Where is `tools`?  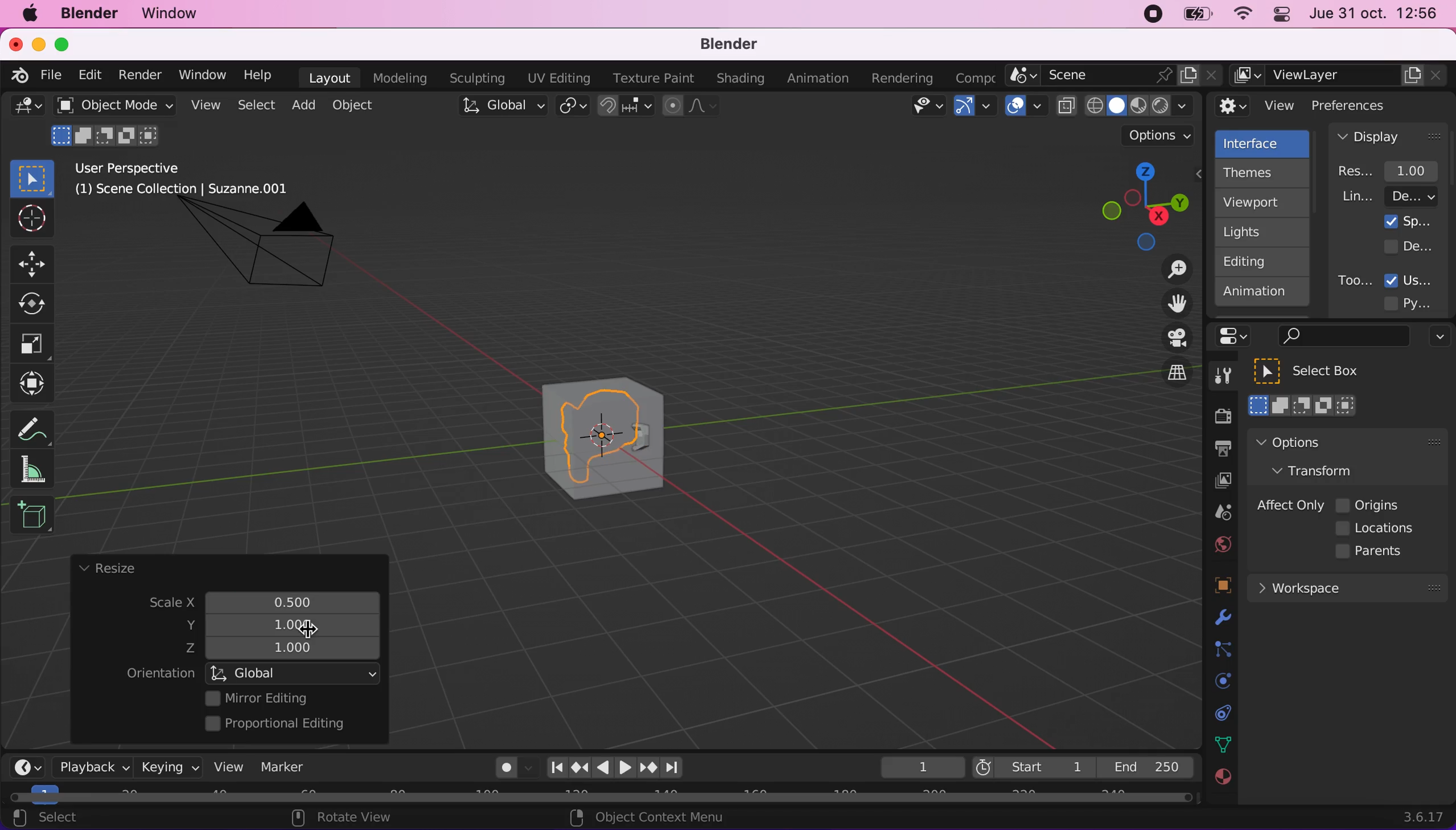
tools is located at coordinates (1217, 379).